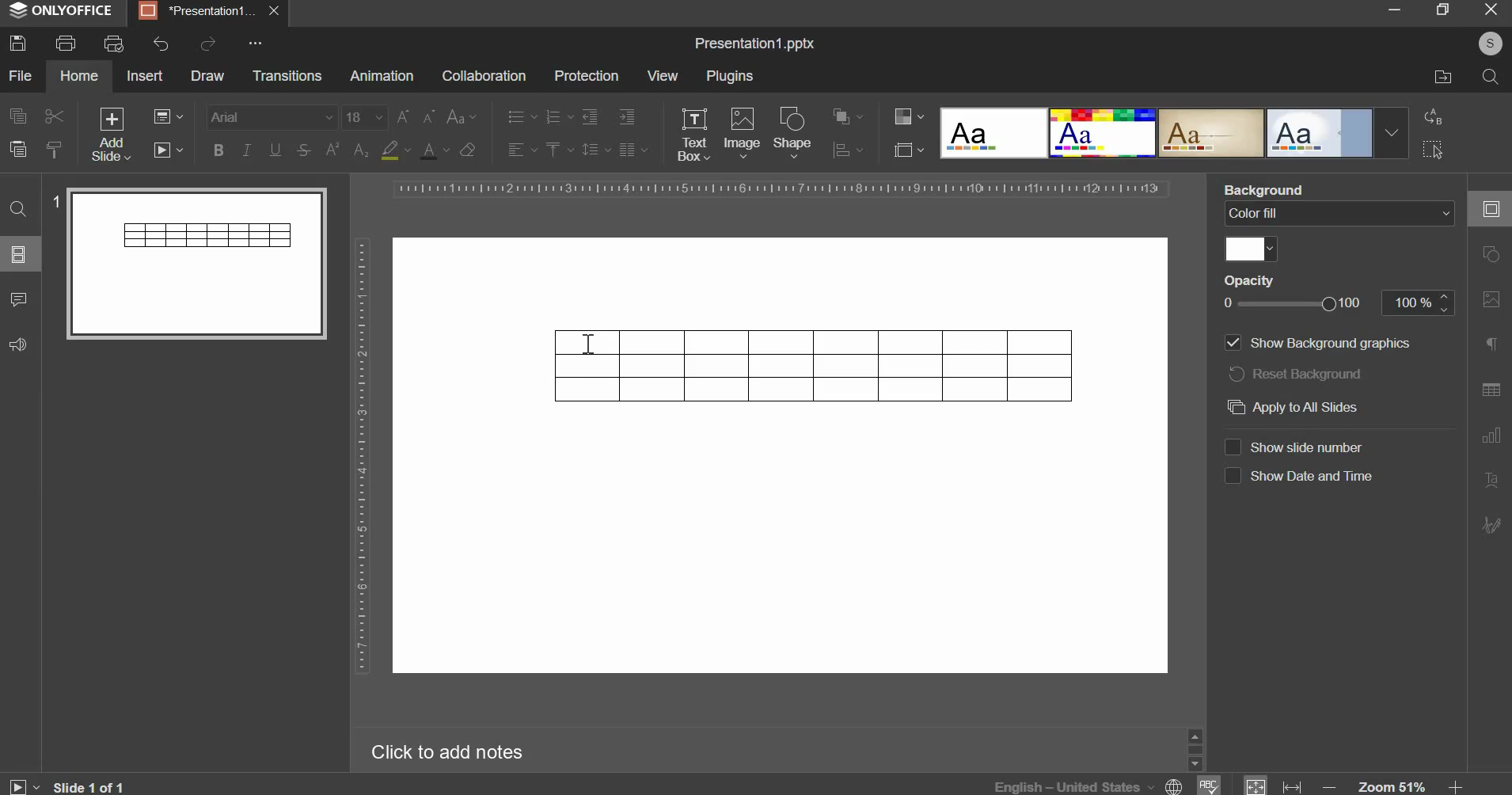 The image size is (1512, 795). I want to click on table, so click(815, 367).